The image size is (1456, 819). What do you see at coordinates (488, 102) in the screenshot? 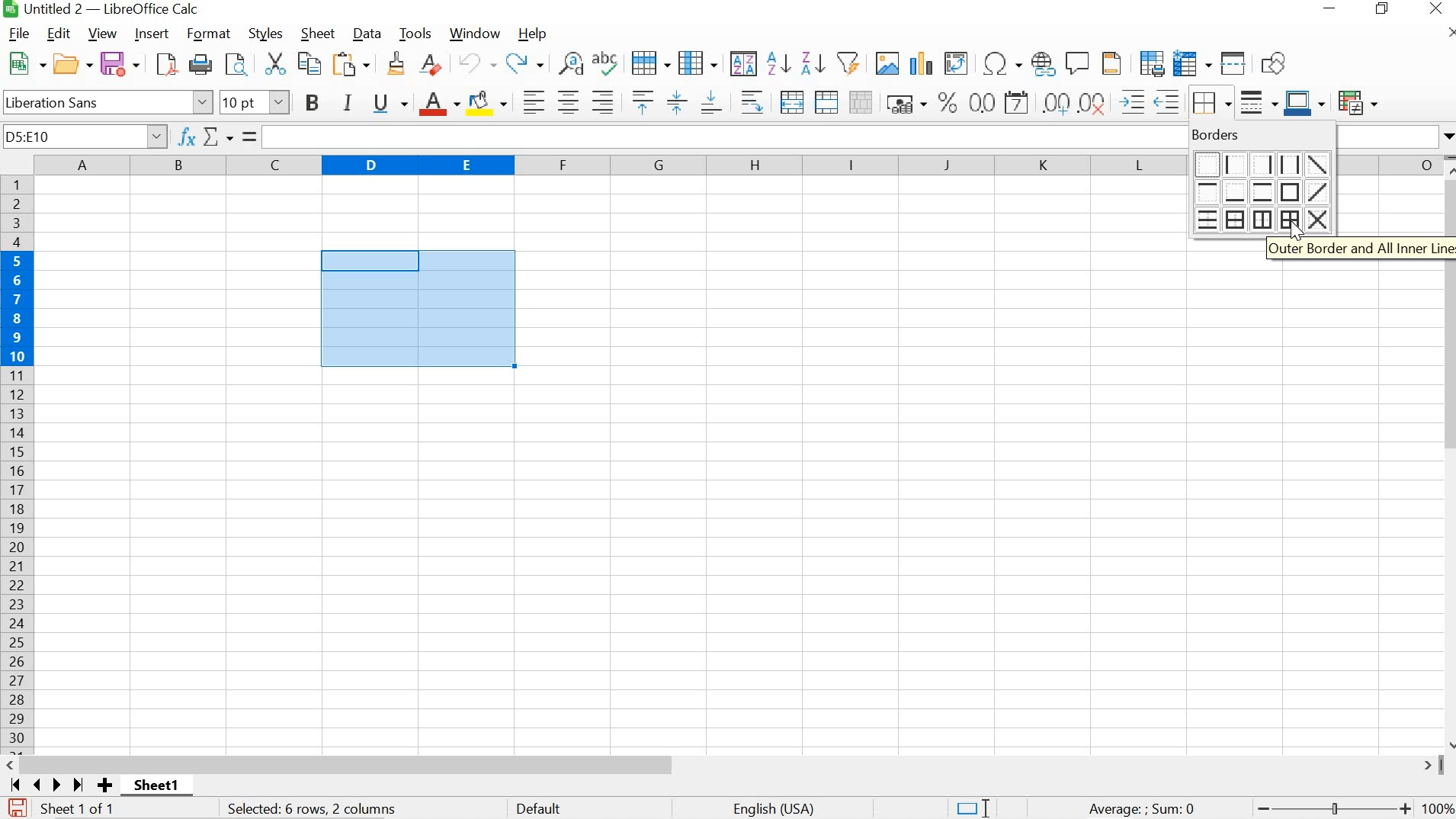
I see `BACKGROUND COLOR` at bounding box center [488, 102].